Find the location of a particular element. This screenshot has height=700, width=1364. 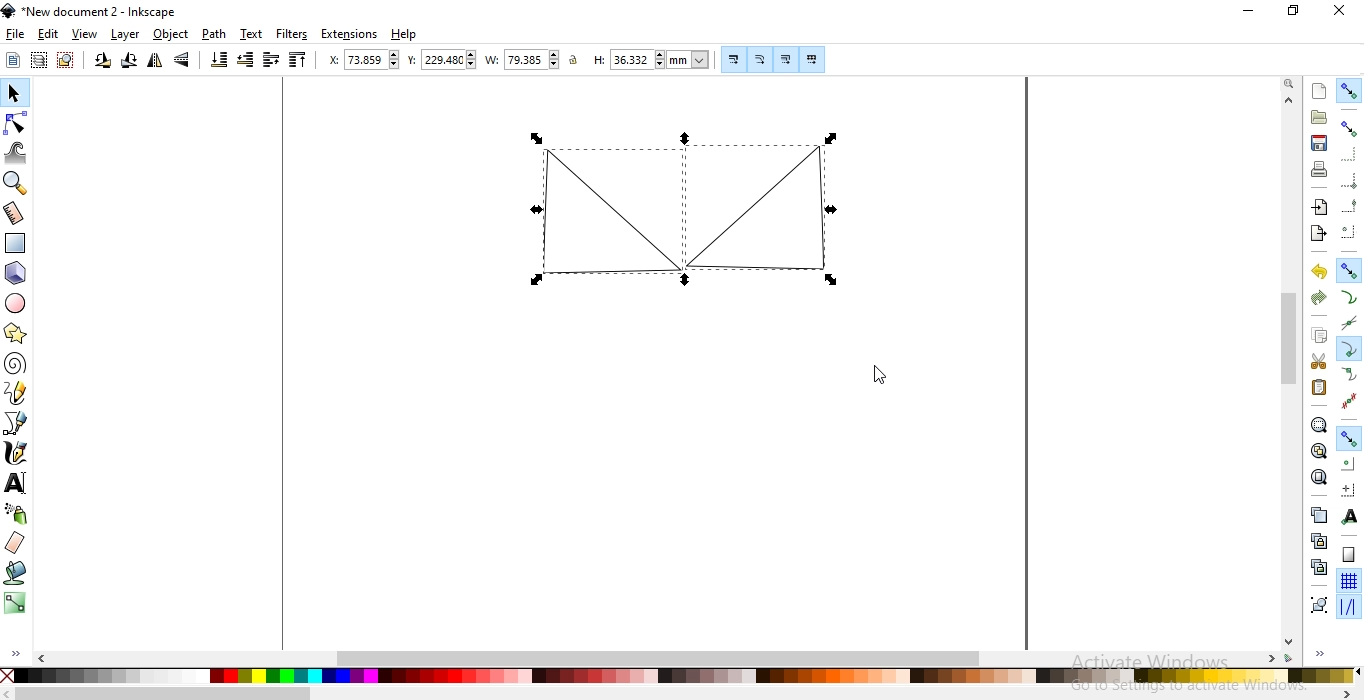

snap to grids is located at coordinates (1348, 581).